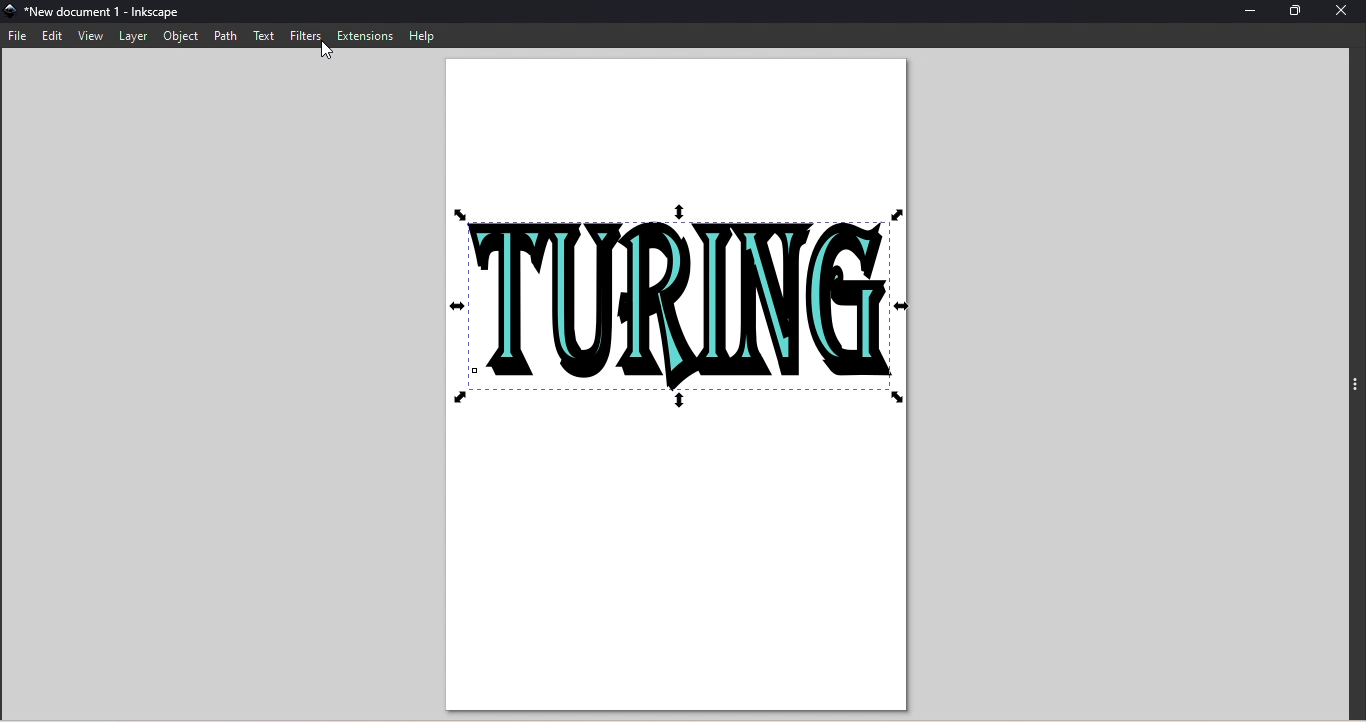 Image resolution: width=1366 pixels, height=722 pixels. Describe the element at coordinates (19, 37) in the screenshot. I see `File` at that location.